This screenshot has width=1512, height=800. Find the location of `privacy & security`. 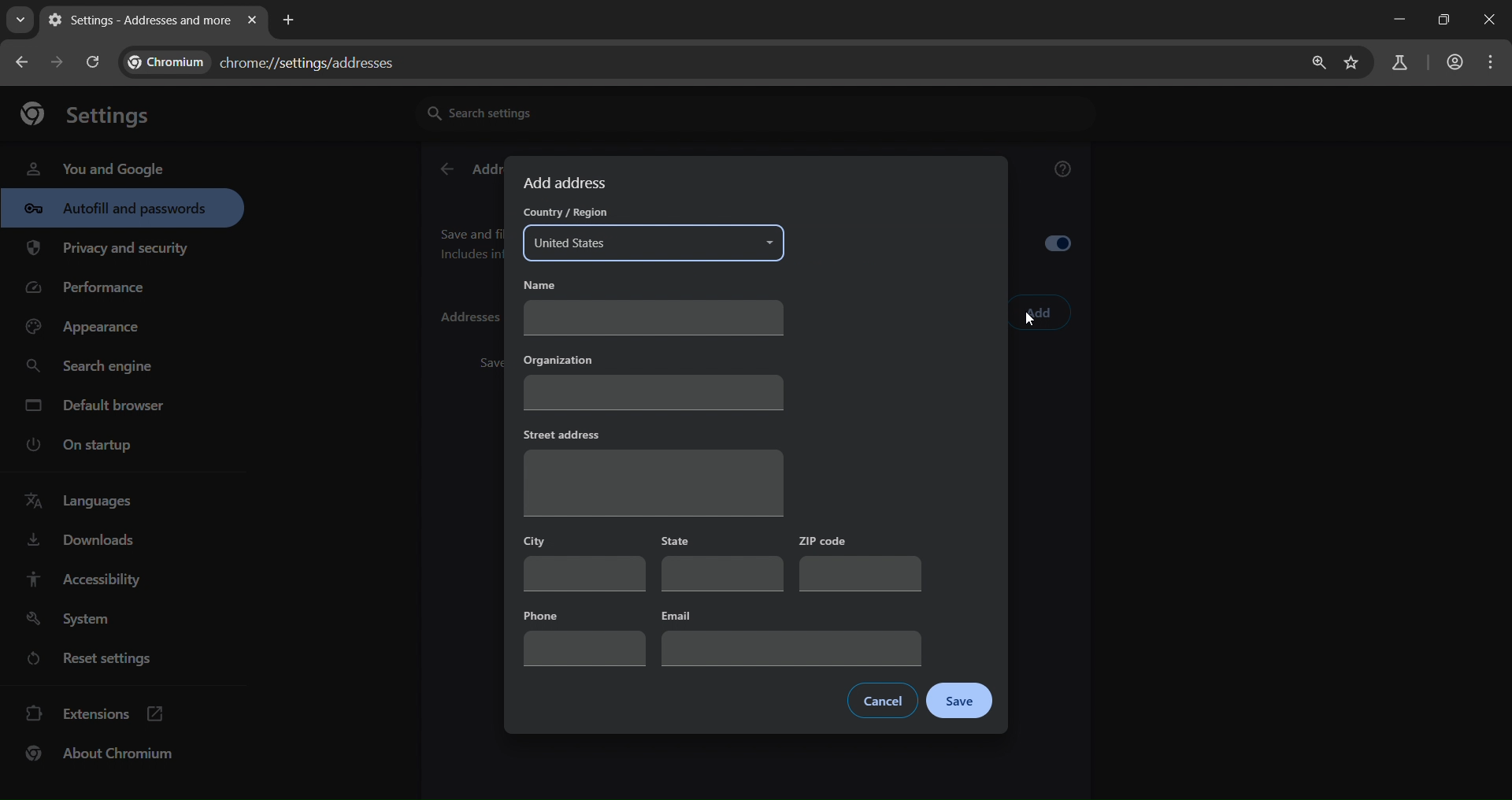

privacy & security is located at coordinates (108, 251).